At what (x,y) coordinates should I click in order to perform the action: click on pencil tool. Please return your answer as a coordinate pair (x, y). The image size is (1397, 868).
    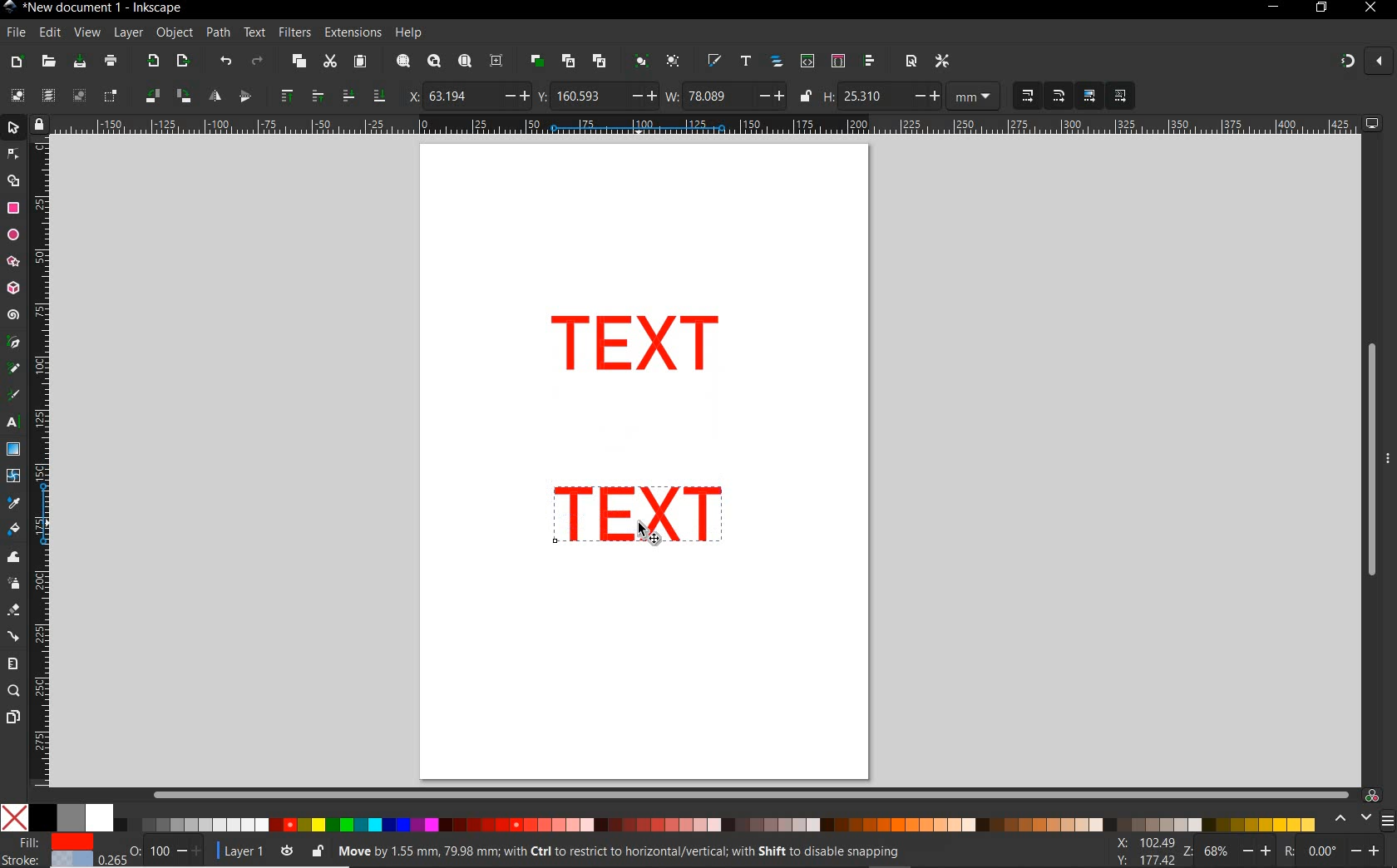
    Looking at the image, I should click on (15, 369).